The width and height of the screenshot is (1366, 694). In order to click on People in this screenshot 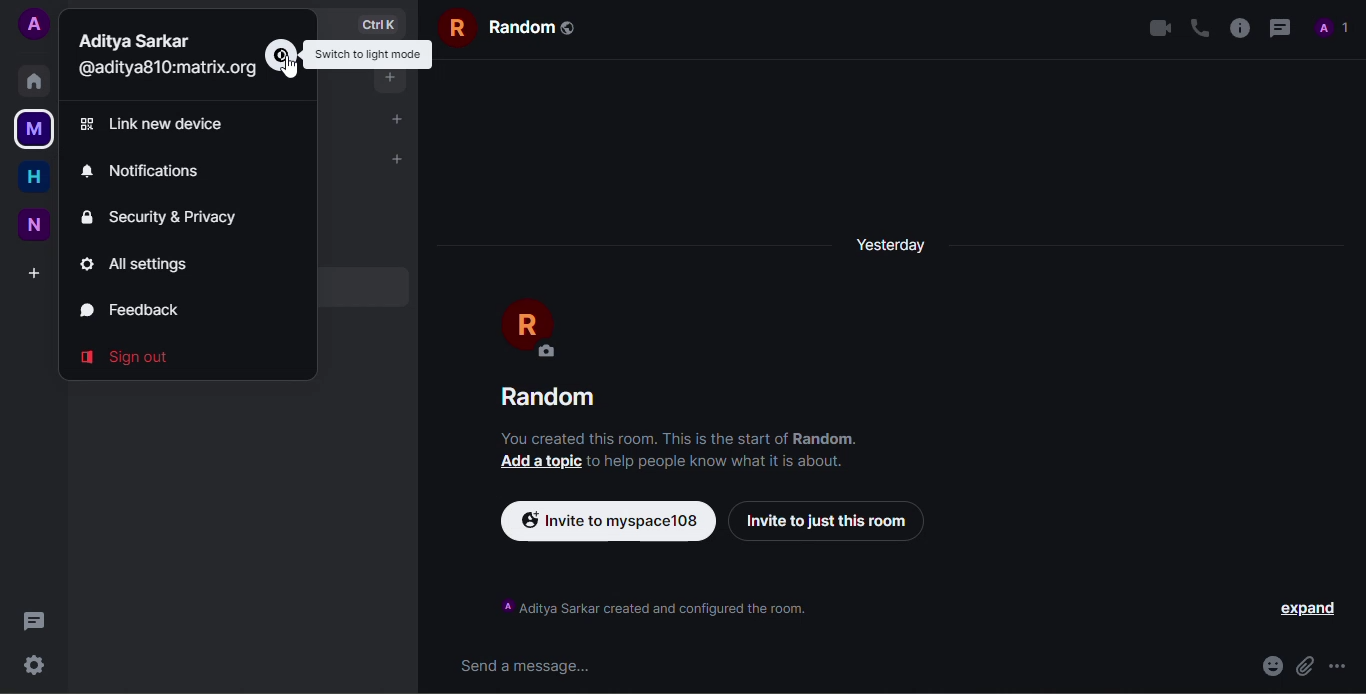, I will do `click(1330, 28)`.